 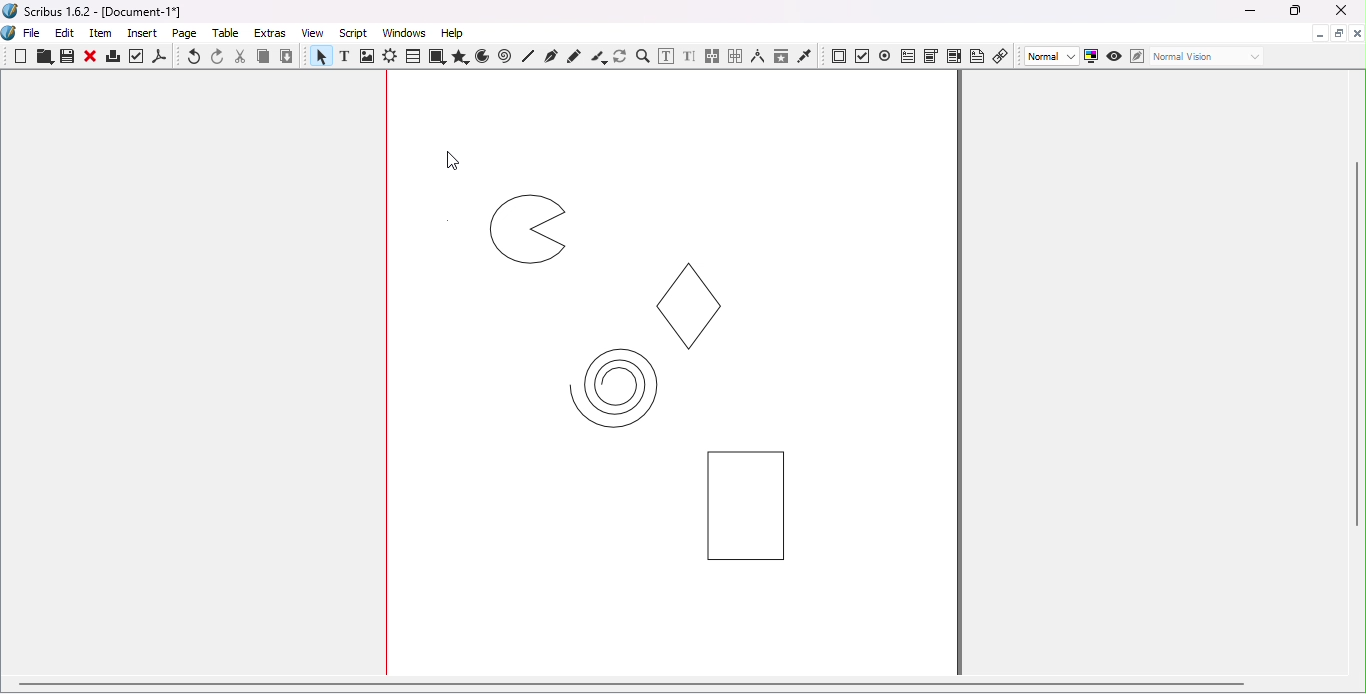 I want to click on Close, so click(x=90, y=58).